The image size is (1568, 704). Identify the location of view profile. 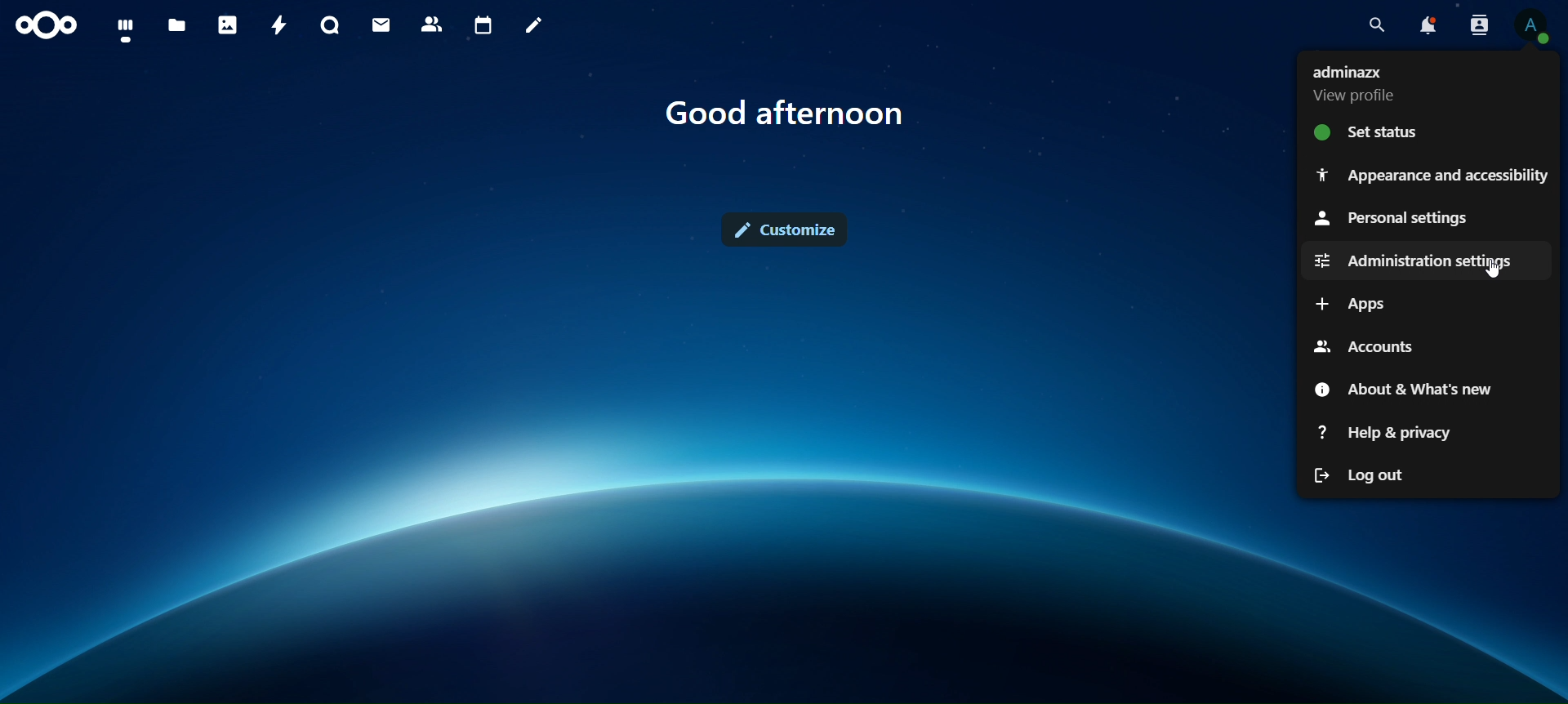
(1356, 85).